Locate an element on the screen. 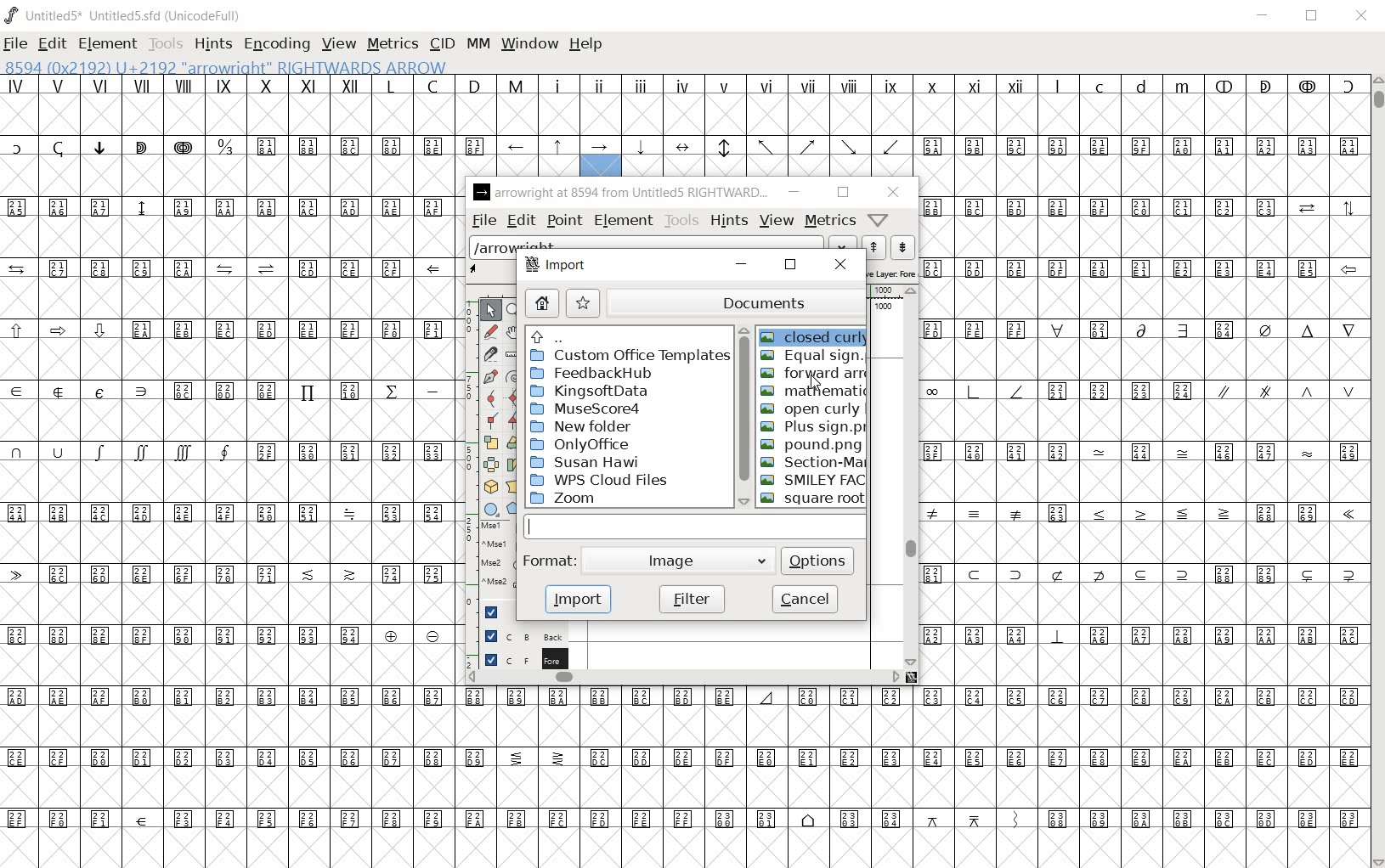 Image resolution: width=1385 pixels, height=868 pixels. measure a distance, angle between points is located at coordinates (512, 356).